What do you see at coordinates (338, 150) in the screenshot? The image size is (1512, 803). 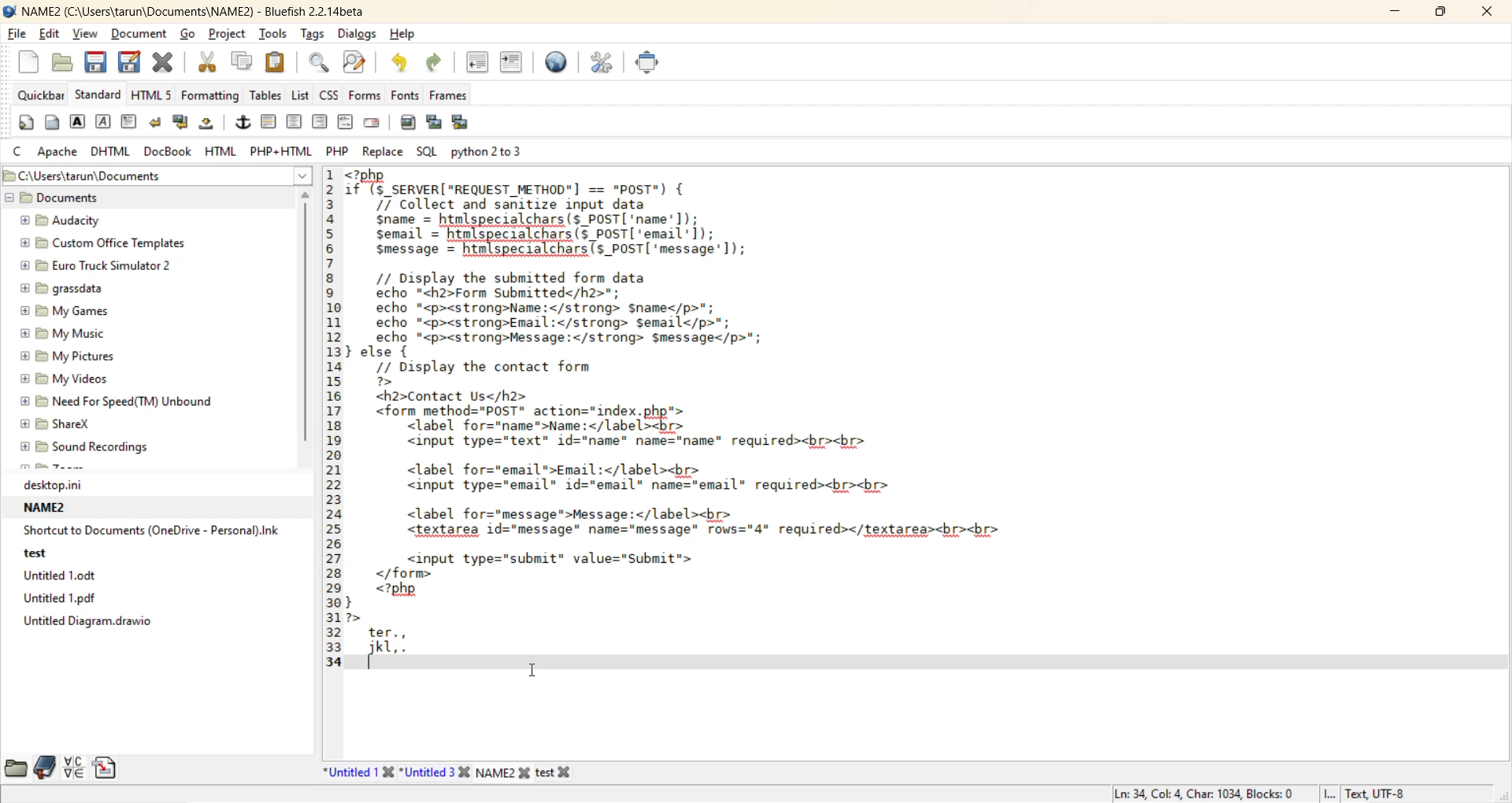 I see `php` at bounding box center [338, 150].